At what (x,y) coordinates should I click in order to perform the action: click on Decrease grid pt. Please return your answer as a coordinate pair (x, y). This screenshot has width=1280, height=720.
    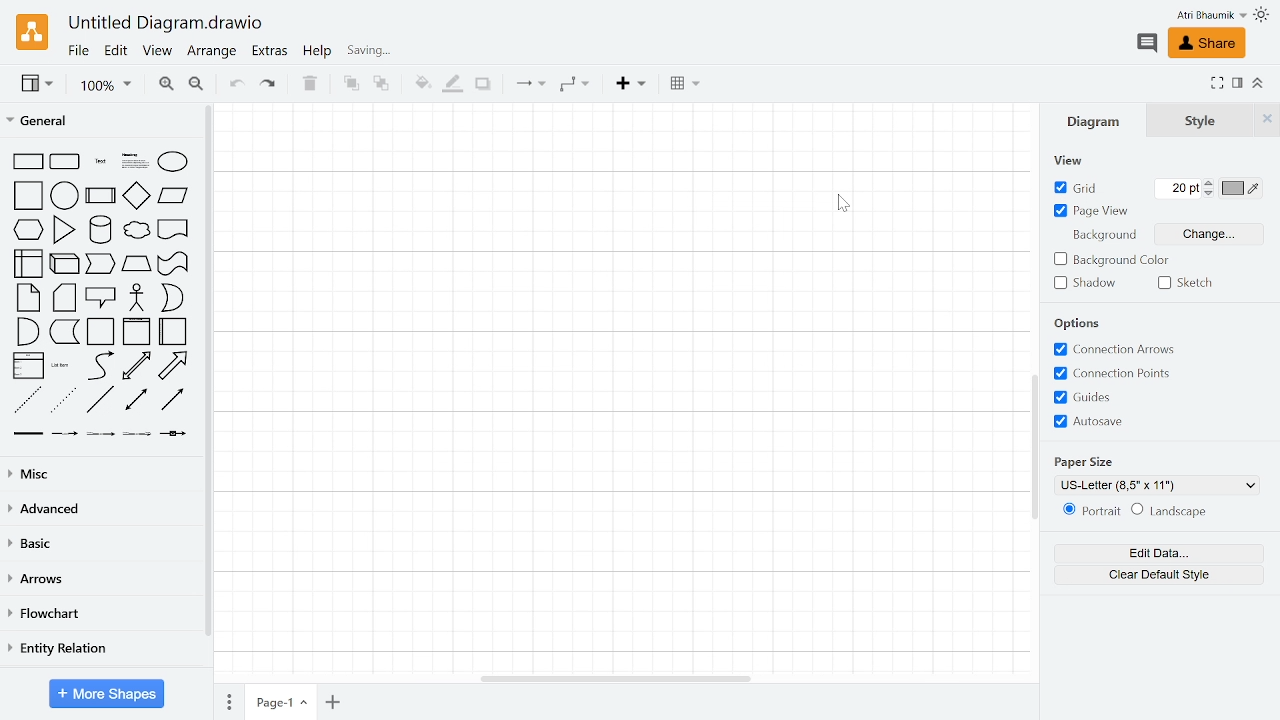
    Looking at the image, I should click on (1213, 193).